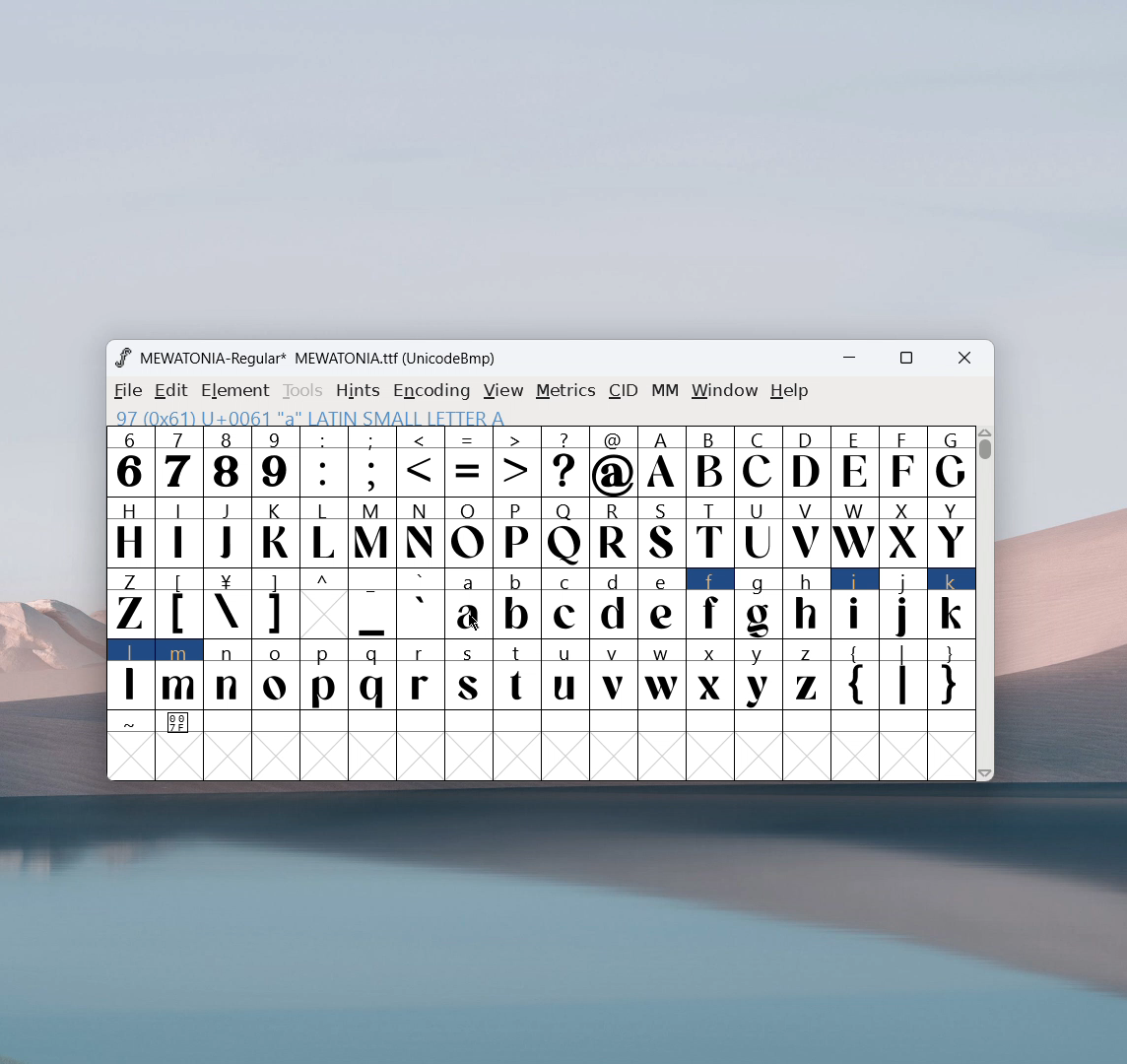 The height and width of the screenshot is (1064, 1127). What do you see at coordinates (129, 602) in the screenshot?
I see `Z` at bounding box center [129, 602].